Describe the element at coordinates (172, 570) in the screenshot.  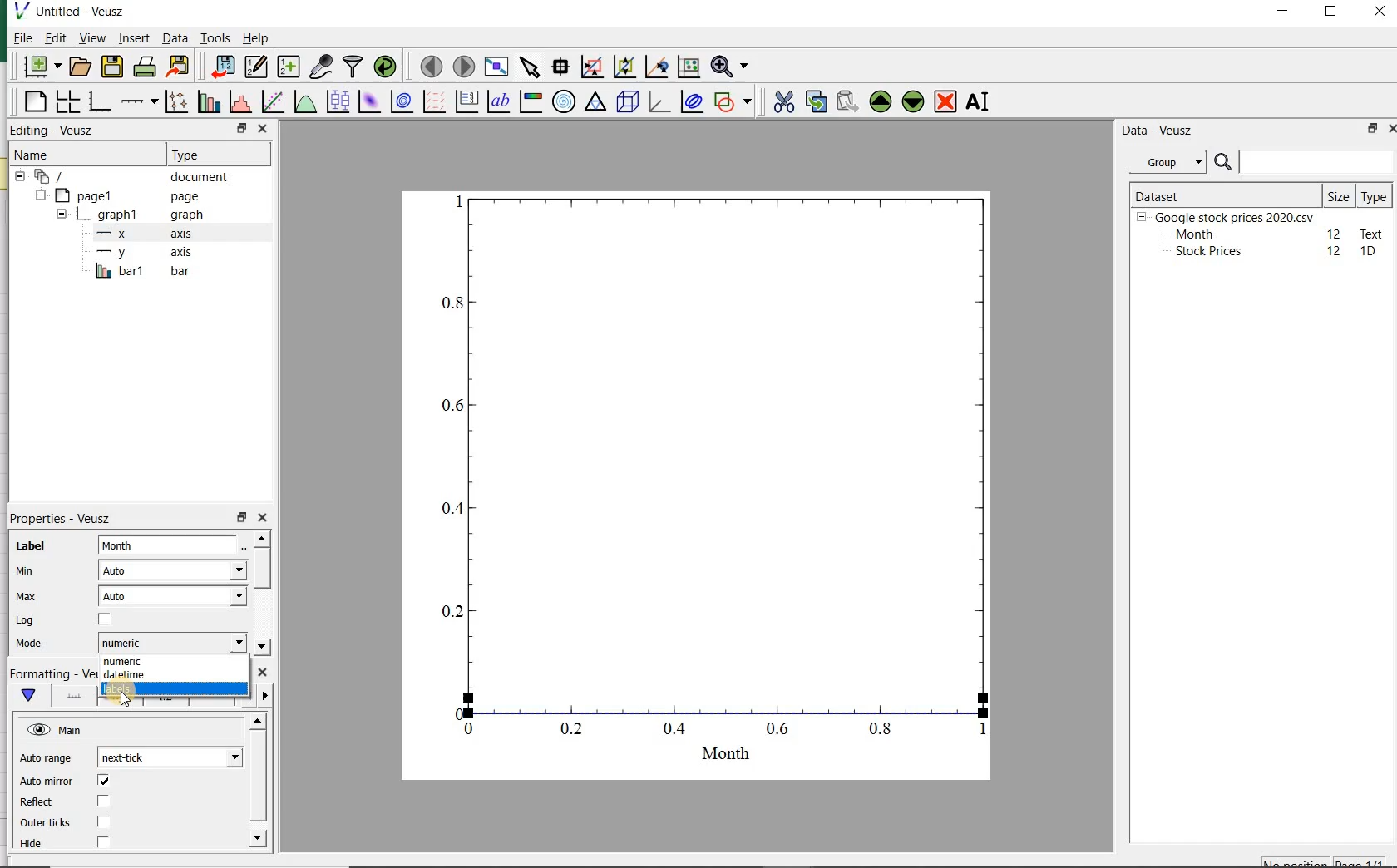
I see `Auto` at that location.